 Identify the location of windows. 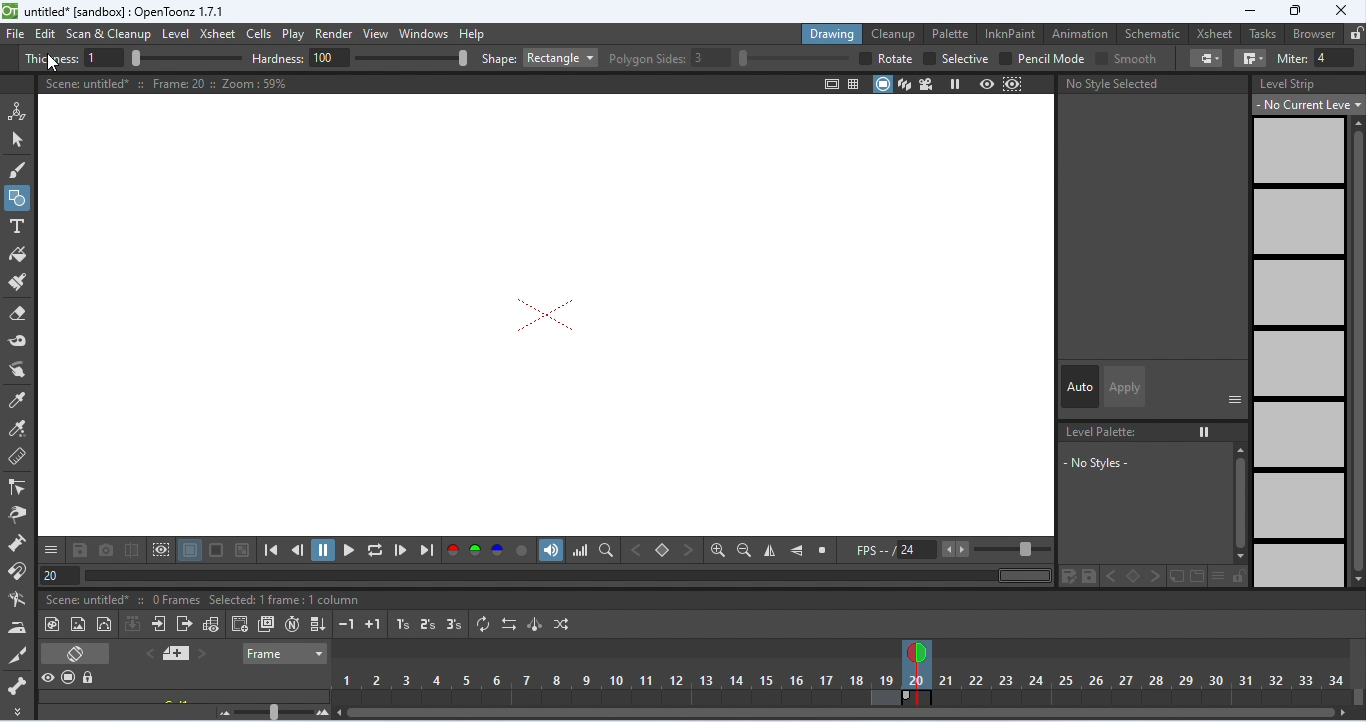
(422, 34).